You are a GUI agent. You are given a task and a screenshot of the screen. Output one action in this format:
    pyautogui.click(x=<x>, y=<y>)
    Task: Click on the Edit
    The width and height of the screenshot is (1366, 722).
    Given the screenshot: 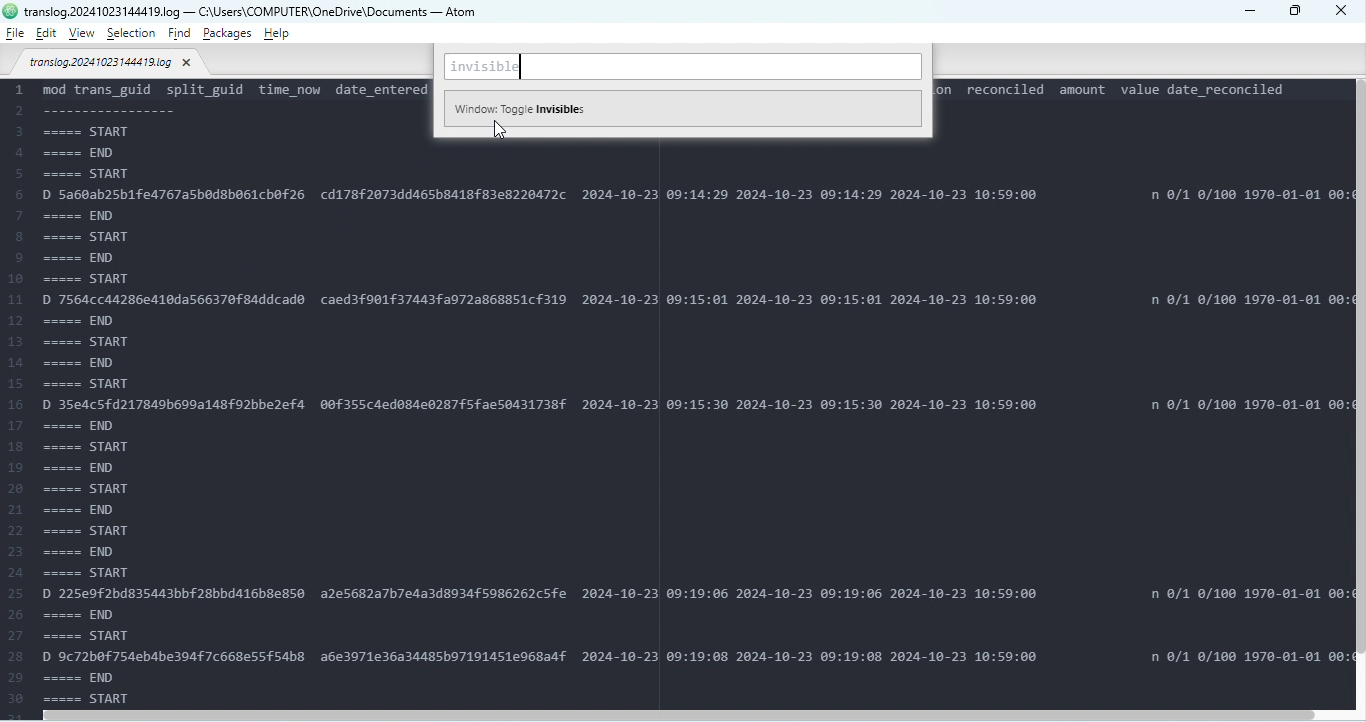 What is the action you would take?
    pyautogui.click(x=46, y=34)
    